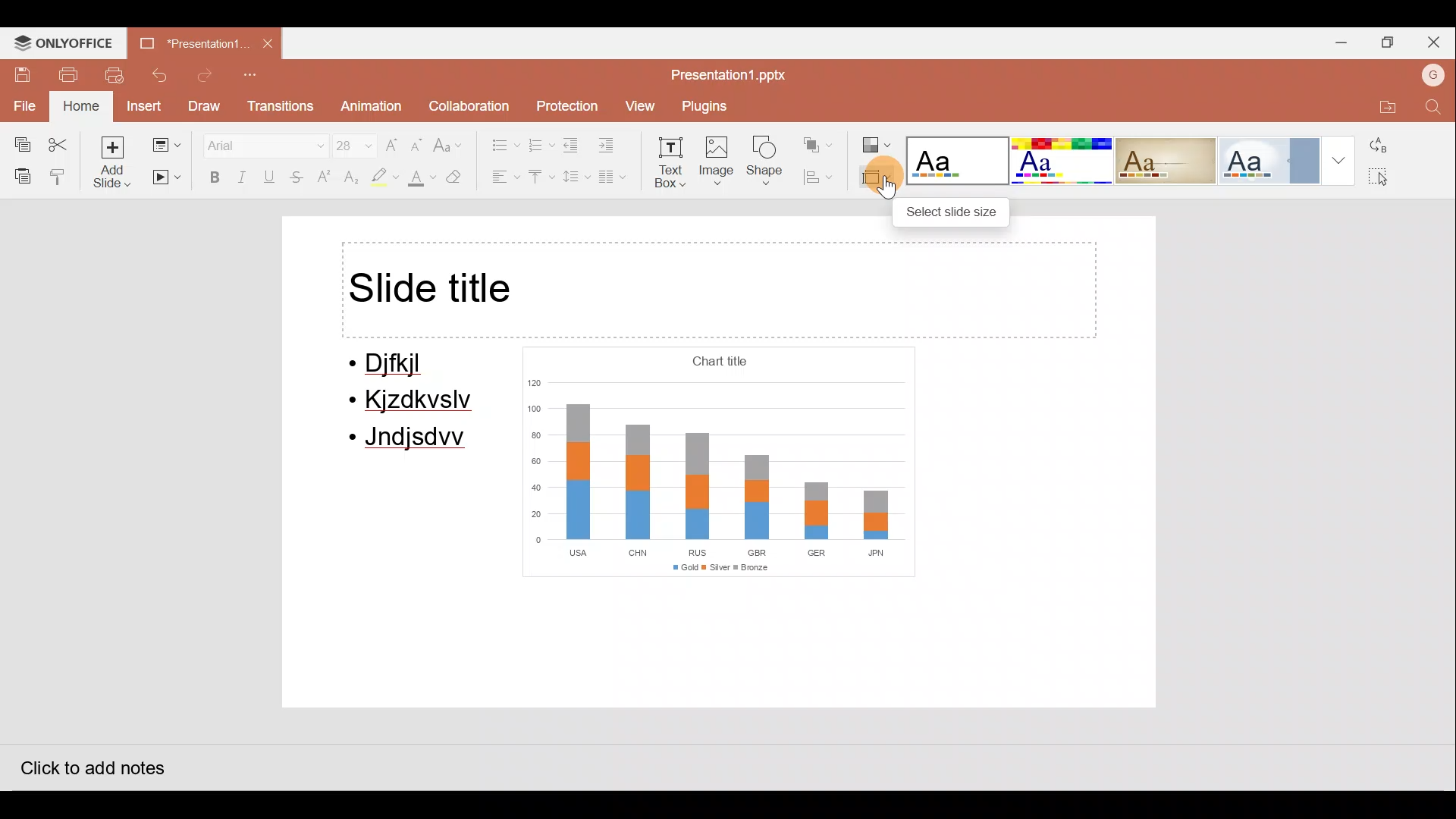  Describe the element at coordinates (725, 71) in the screenshot. I see `Presentation1.pptx` at that location.